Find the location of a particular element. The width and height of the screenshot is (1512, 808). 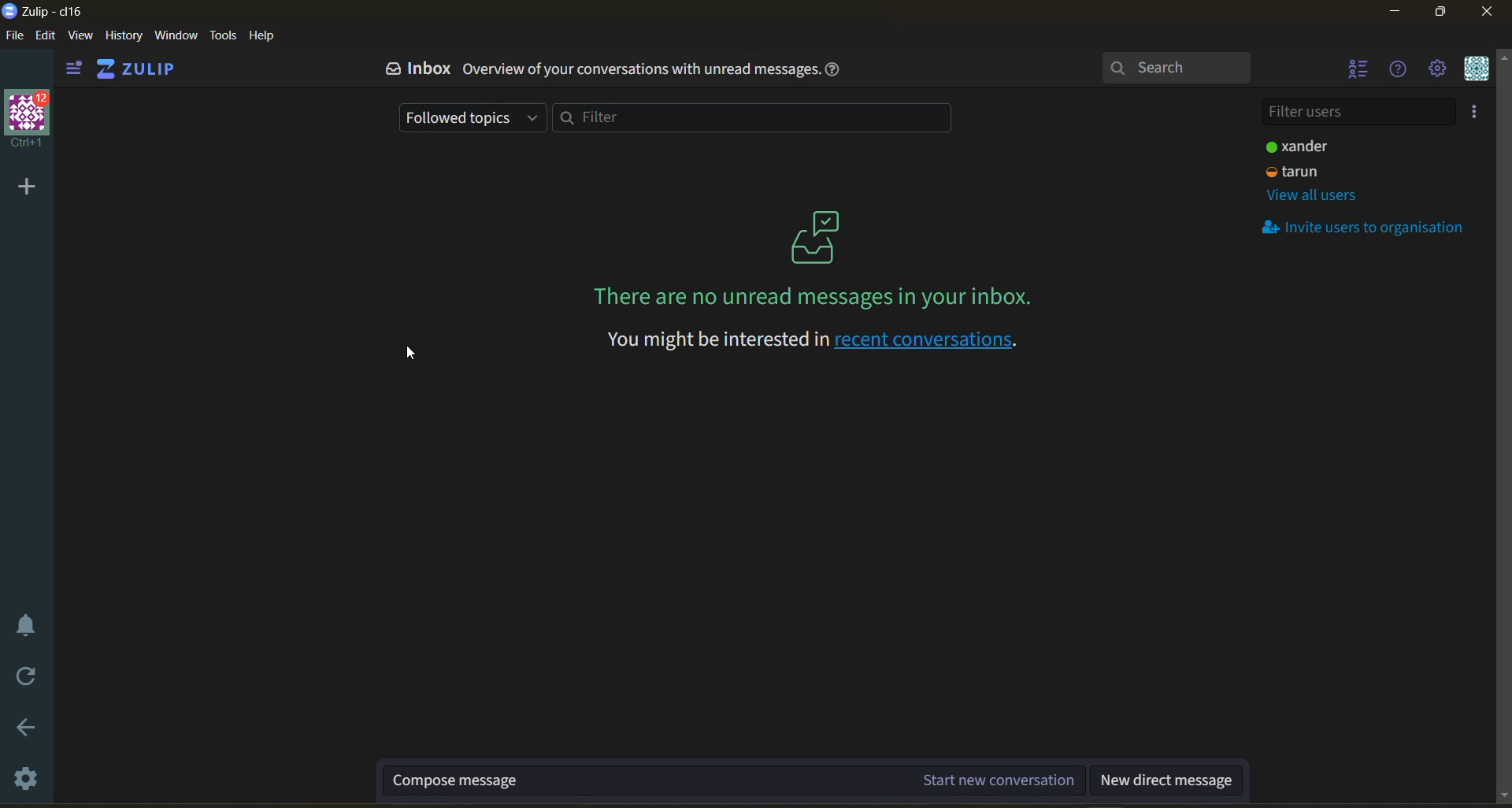

inbox overview of your conversation with unread messages is located at coordinates (599, 69).